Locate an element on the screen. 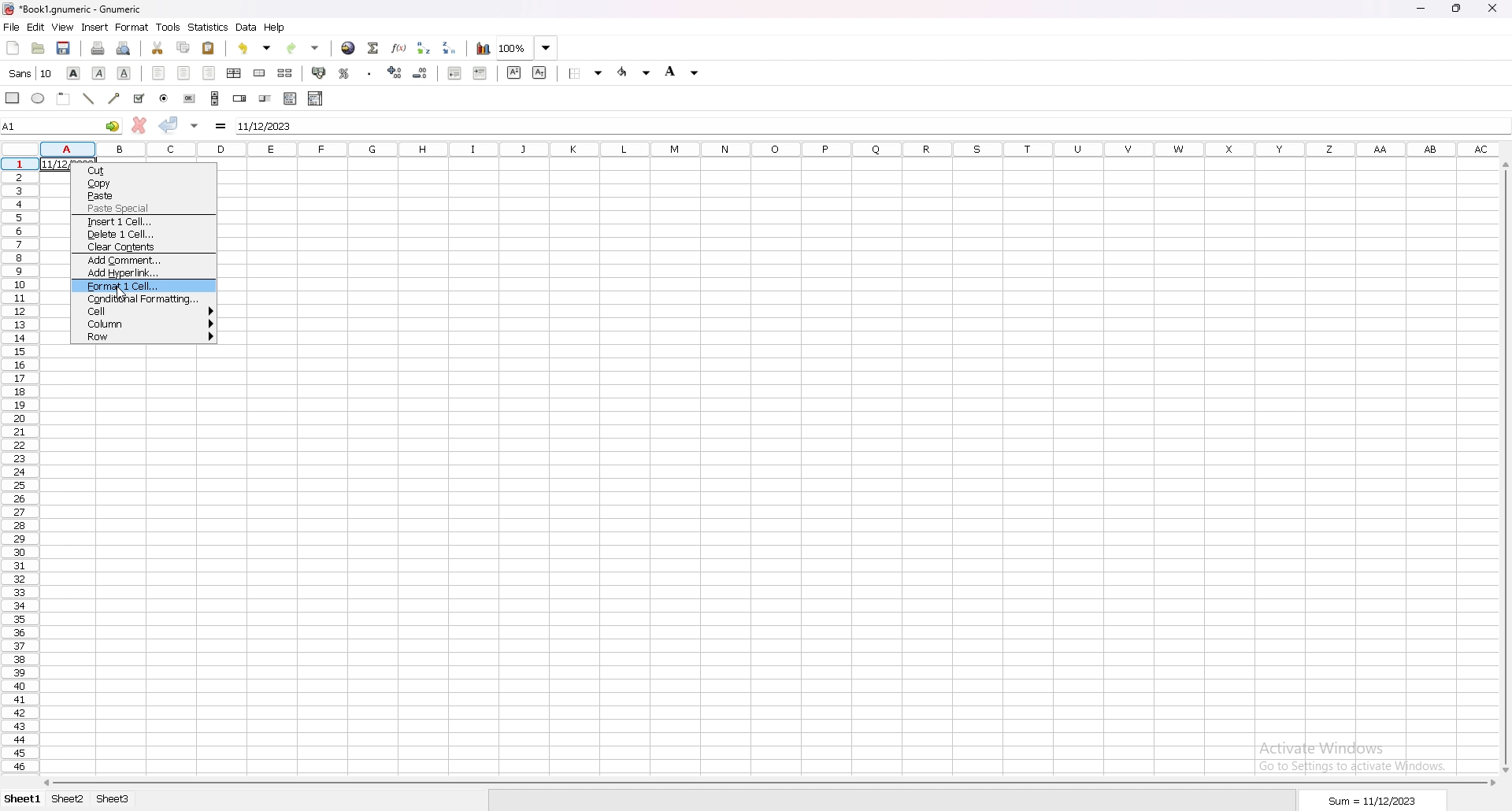 The width and height of the screenshot is (1512, 811). add hyperlink is located at coordinates (144, 272).